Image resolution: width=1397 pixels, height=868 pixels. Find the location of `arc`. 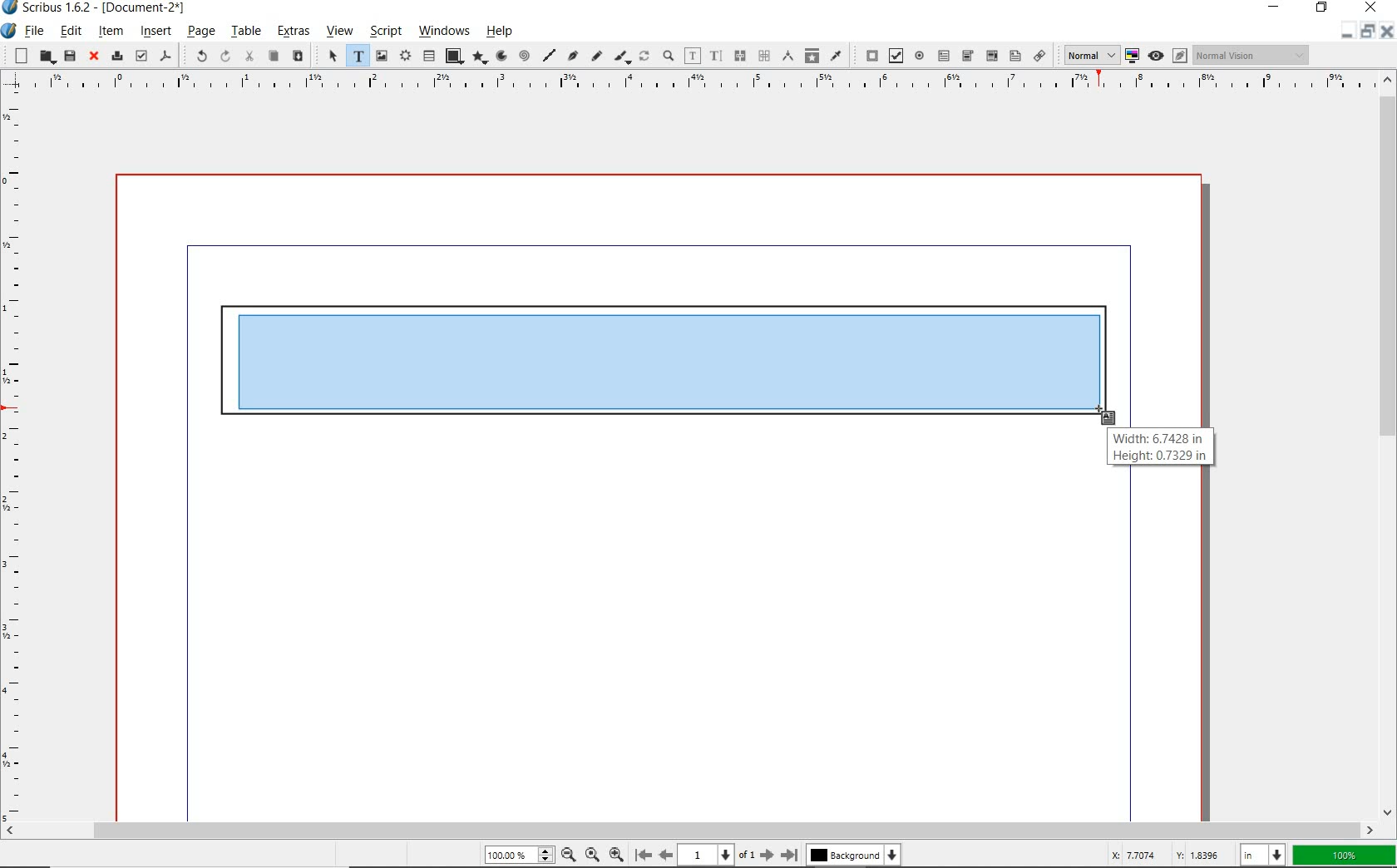

arc is located at coordinates (501, 56).